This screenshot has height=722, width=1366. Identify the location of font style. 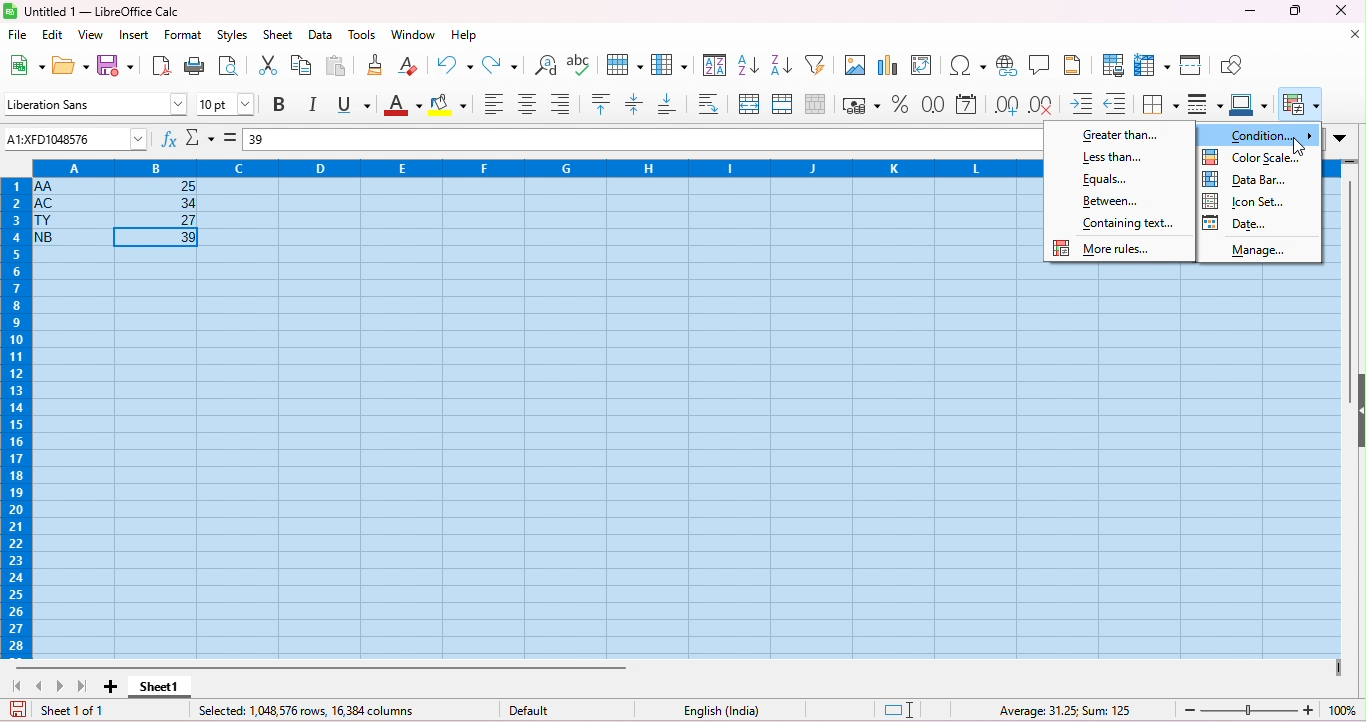
(94, 103).